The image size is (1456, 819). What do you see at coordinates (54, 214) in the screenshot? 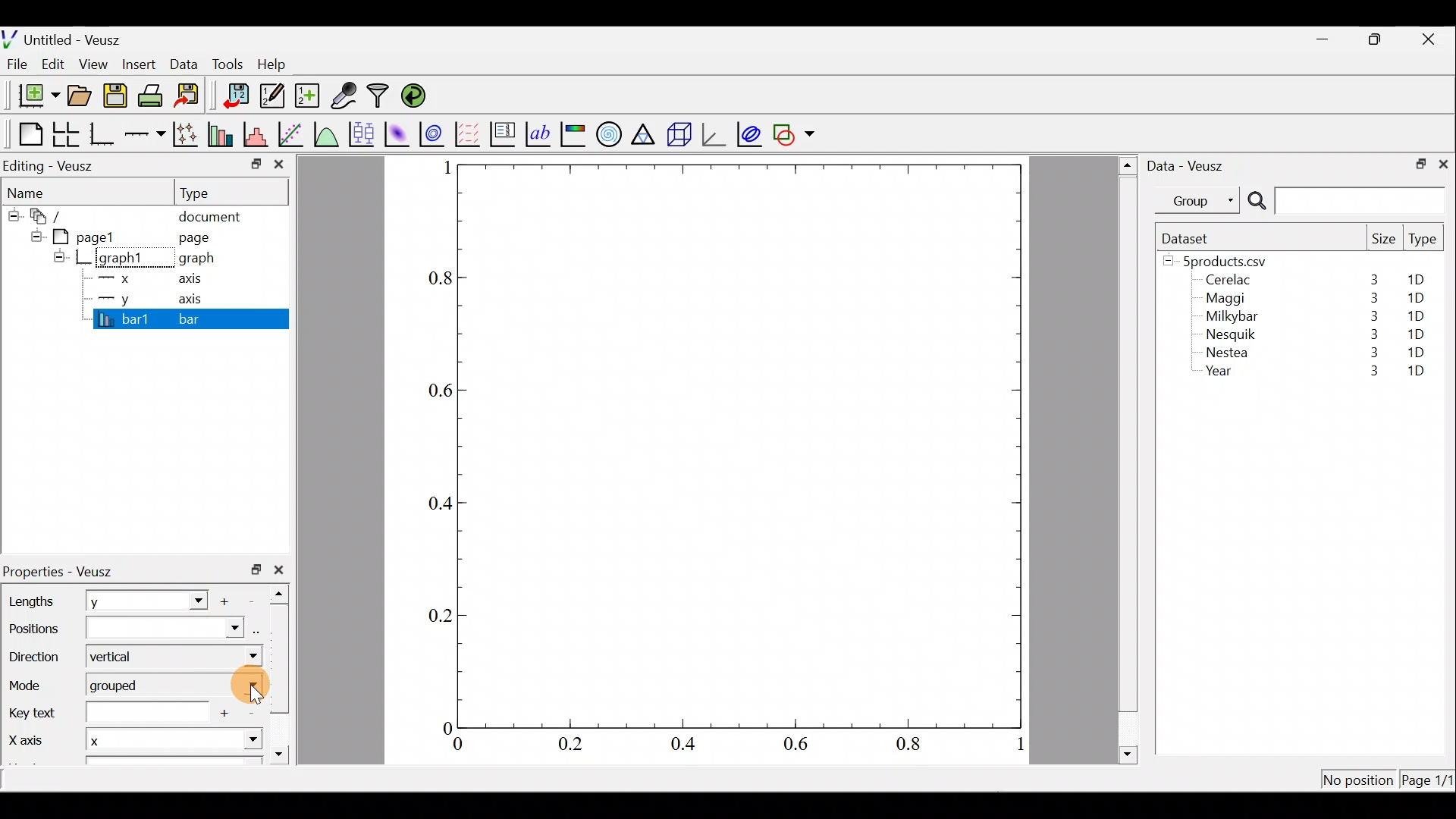
I see `document widget` at bounding box center [54, 214].